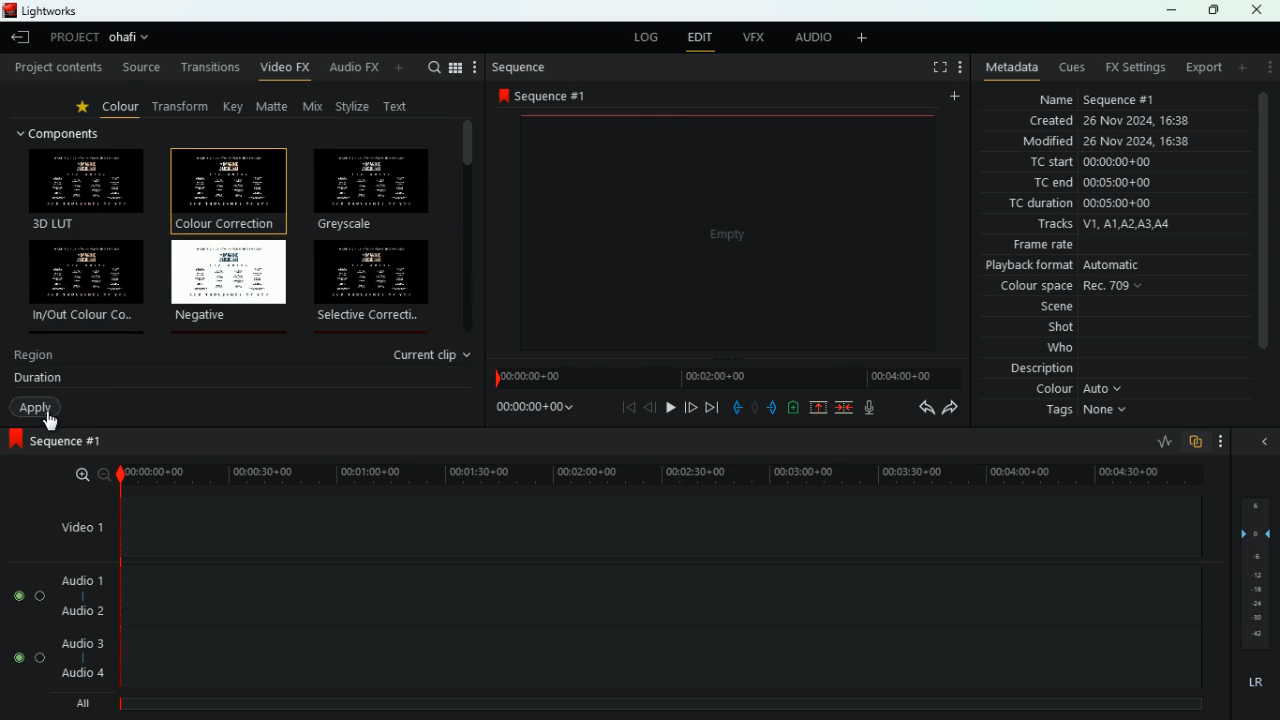 The image size is (1280, 720). Describe the element at coordinates (369, 69) in the screenshot. I see `audio fx` at that location.